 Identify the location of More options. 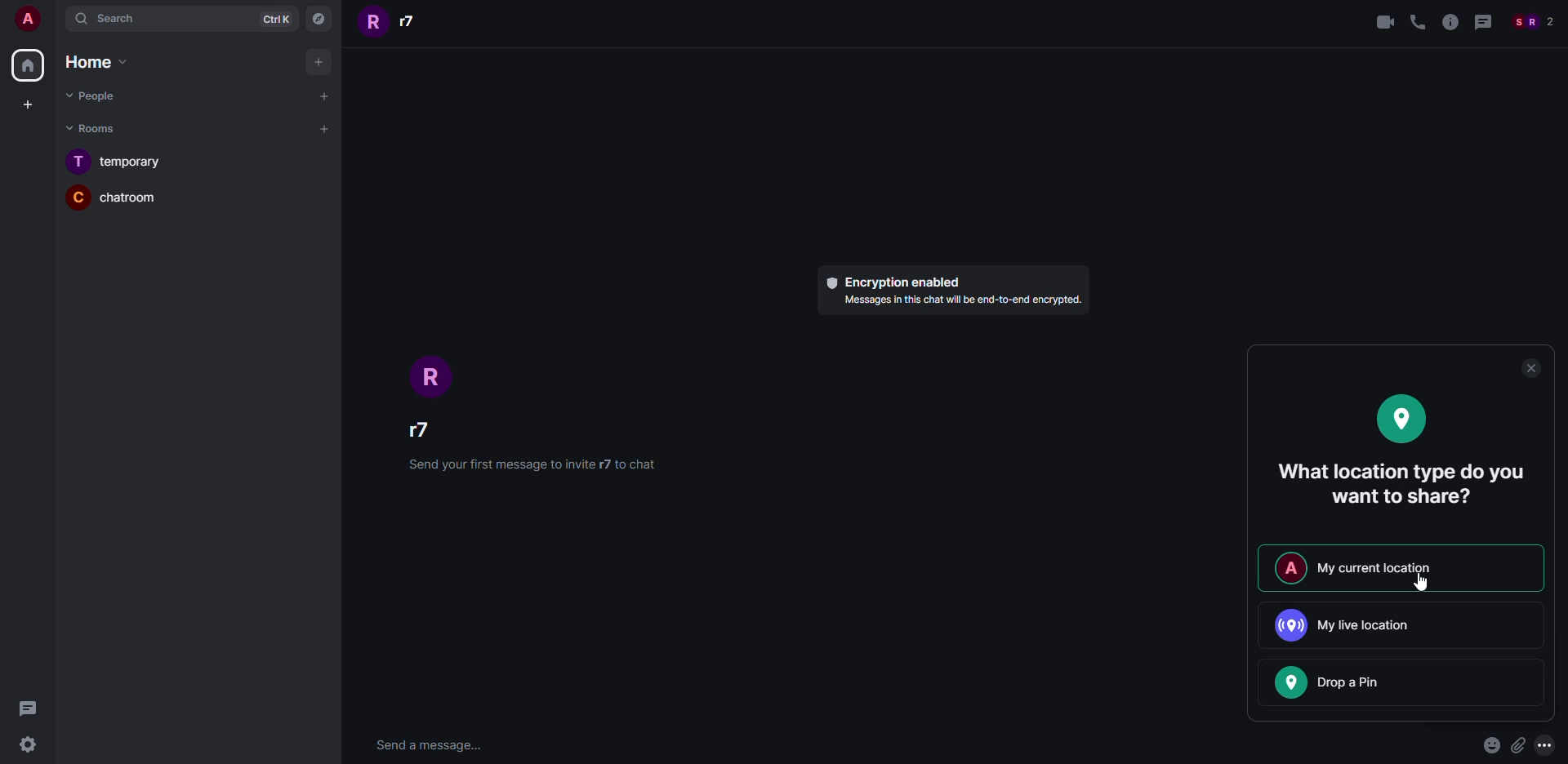
(1546, 744).